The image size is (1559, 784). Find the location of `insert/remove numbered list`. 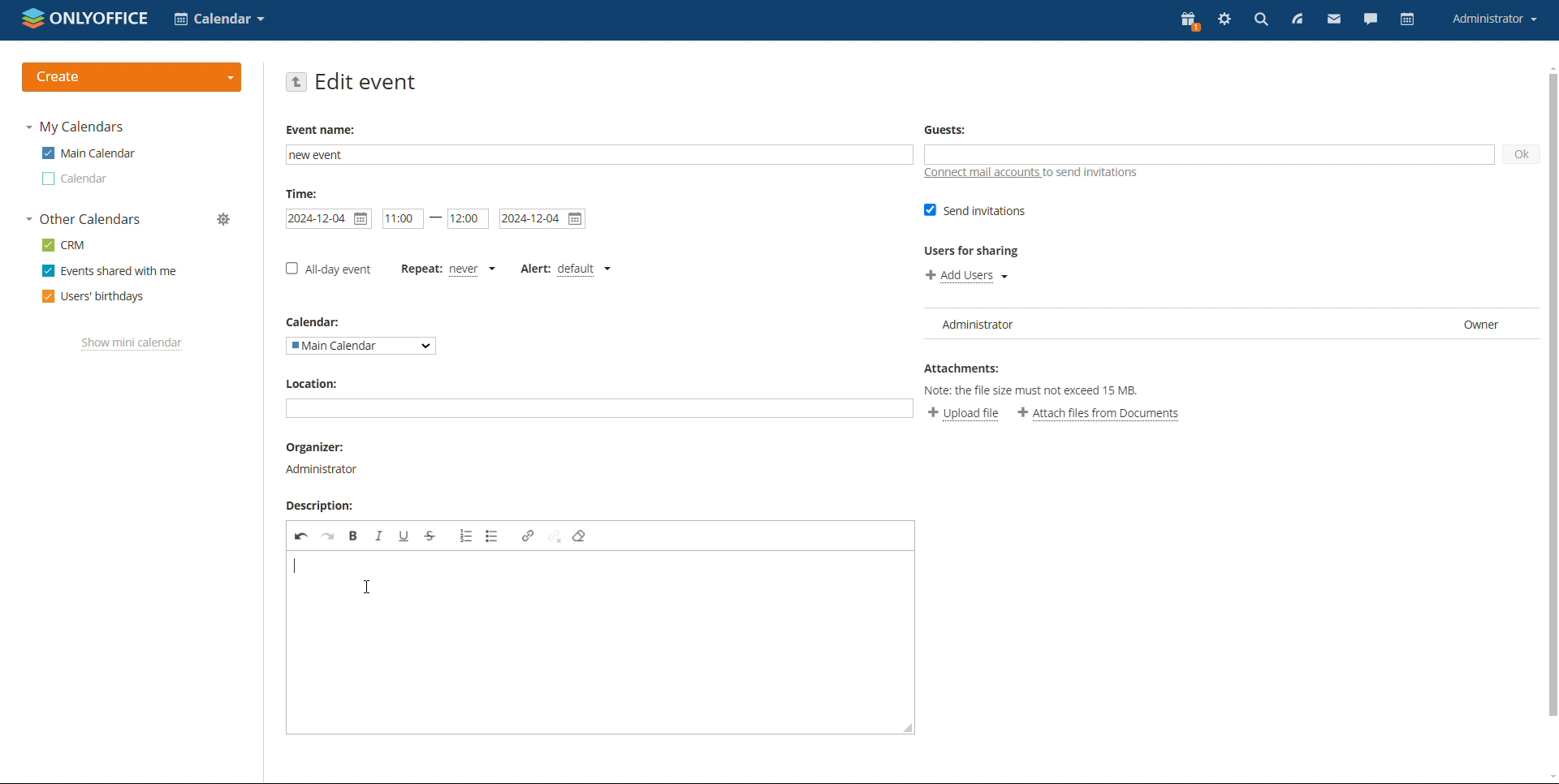

insert/remove numbered list is located at coordinates (465, 535).